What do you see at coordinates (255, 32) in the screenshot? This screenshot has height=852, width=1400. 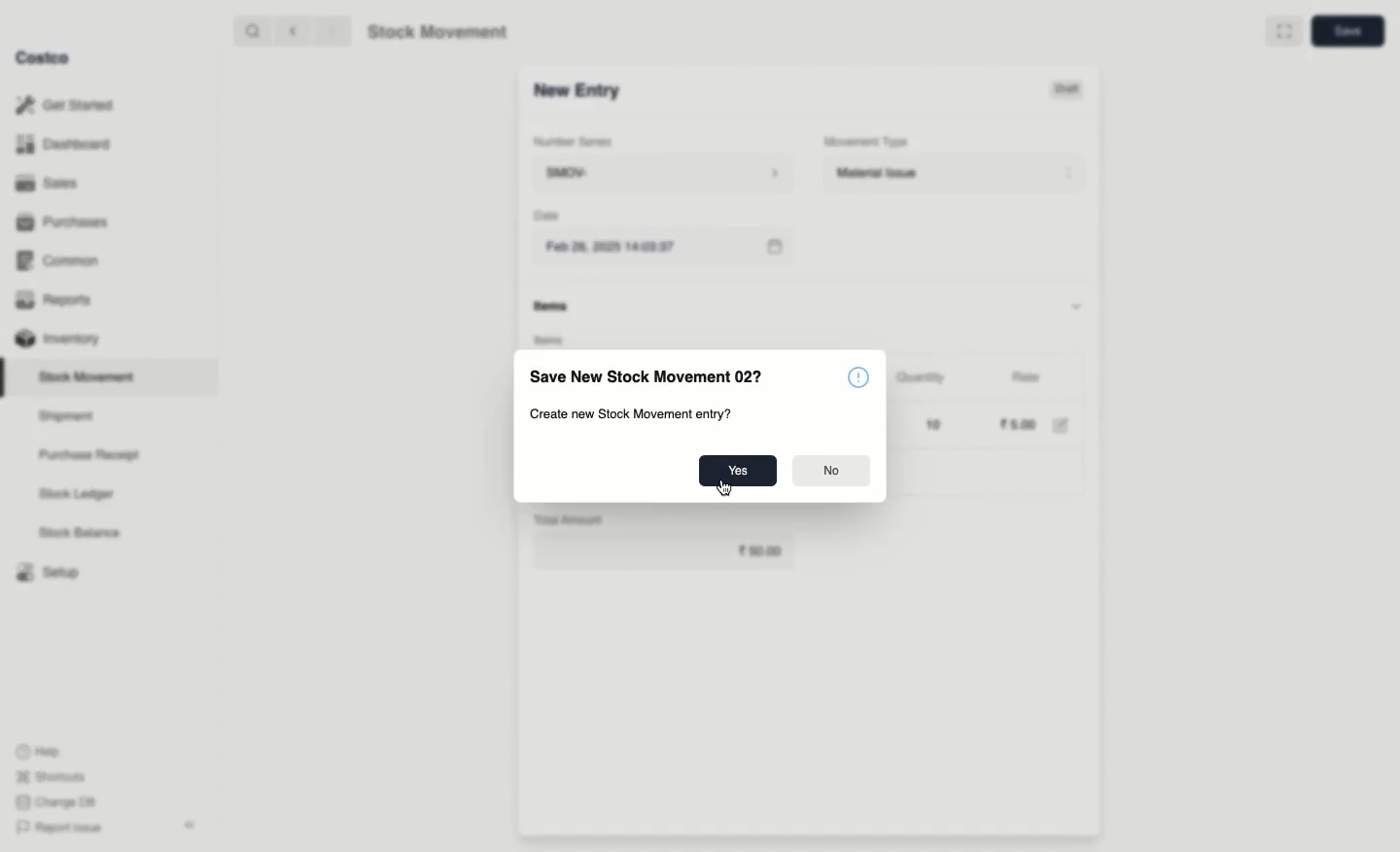 I see `search` at bounding box center [255, 32].